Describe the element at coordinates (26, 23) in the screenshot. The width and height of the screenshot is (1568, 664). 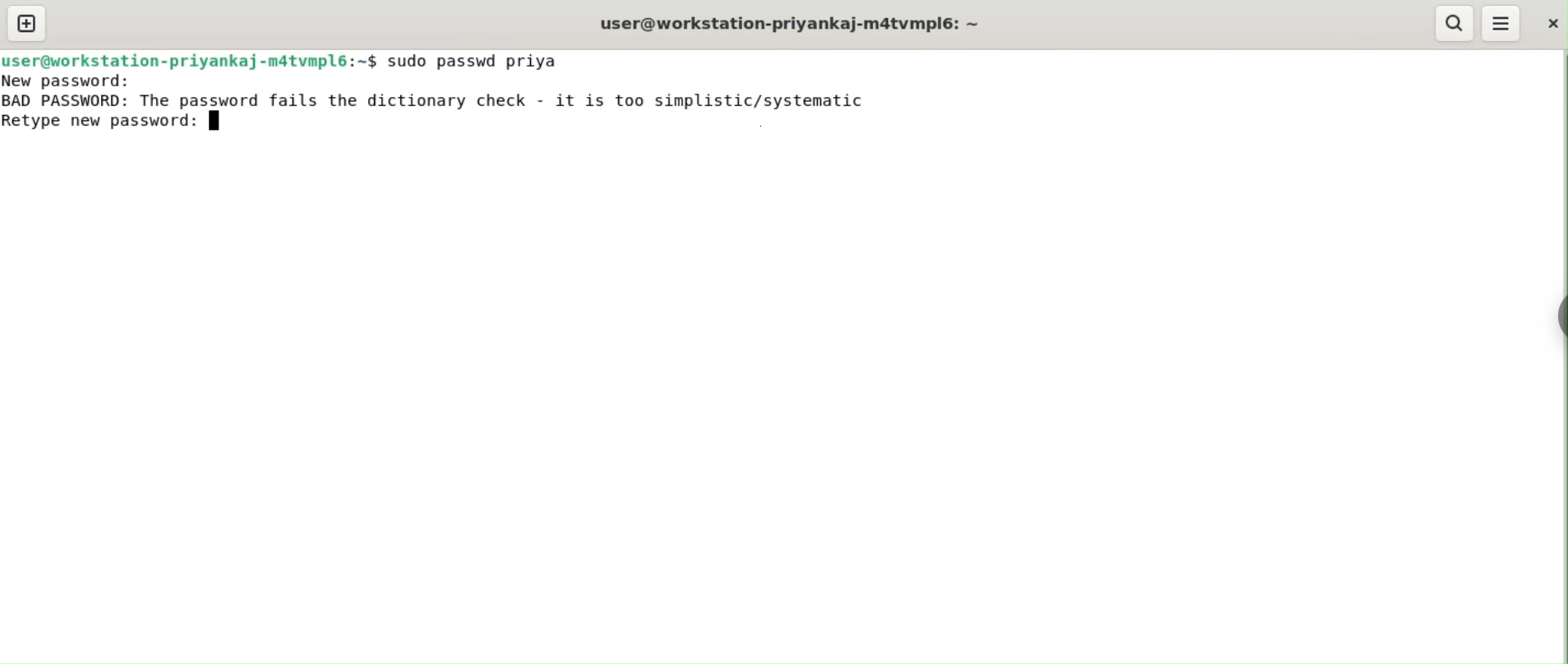
I see `new tab` at that location.